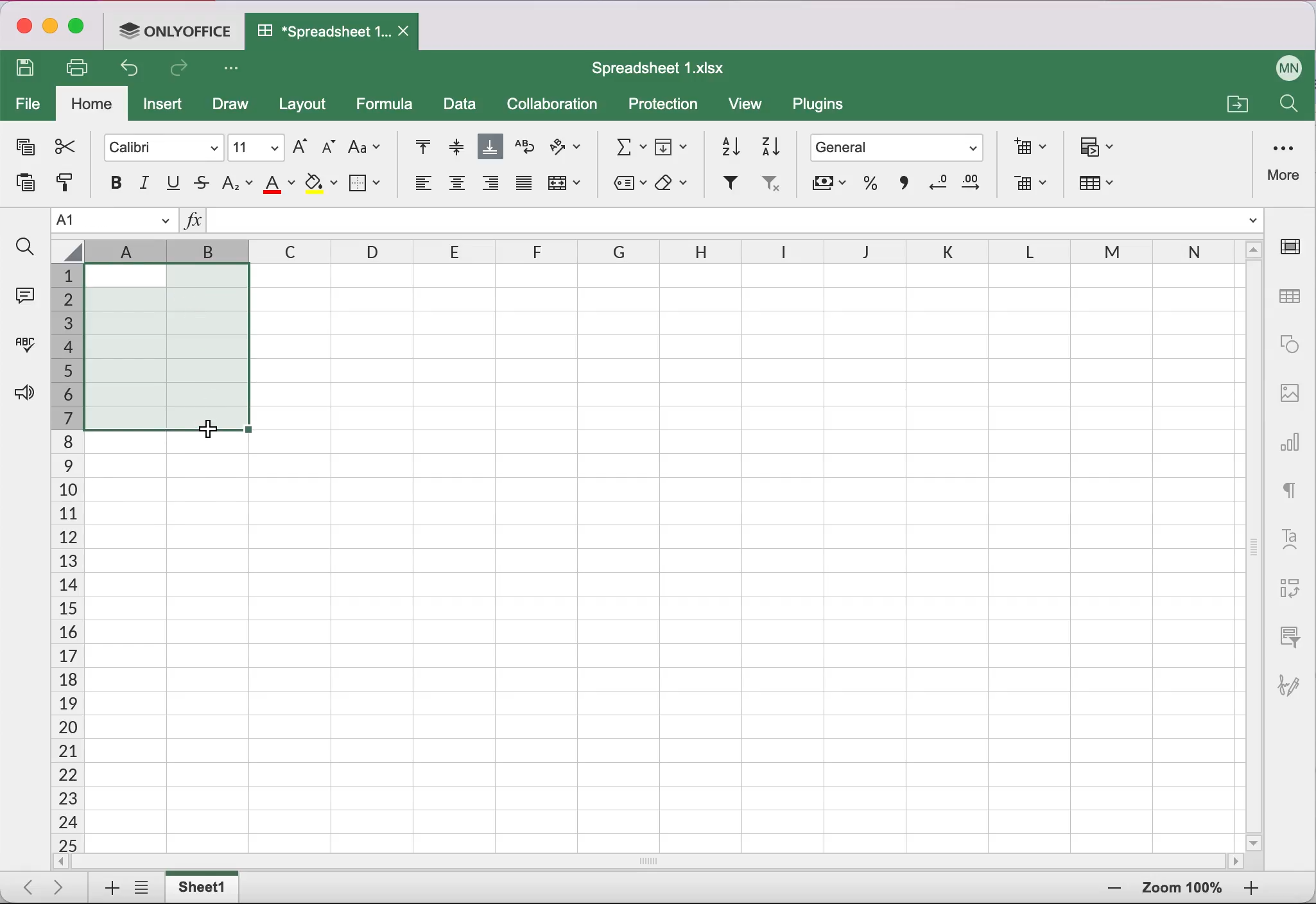  What do you see at coordinates (1254, 540) in the screenshot?
I see `vertical slider` at bounding box center [1254, 540].